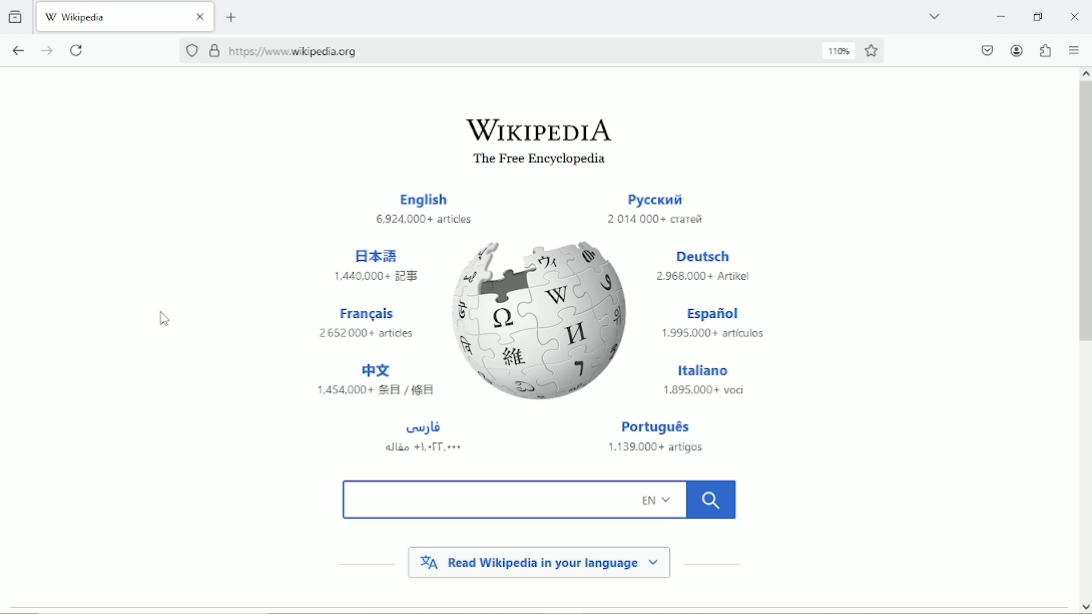 The image size is (1092, 614). I want to click on link, so click(295, 51).